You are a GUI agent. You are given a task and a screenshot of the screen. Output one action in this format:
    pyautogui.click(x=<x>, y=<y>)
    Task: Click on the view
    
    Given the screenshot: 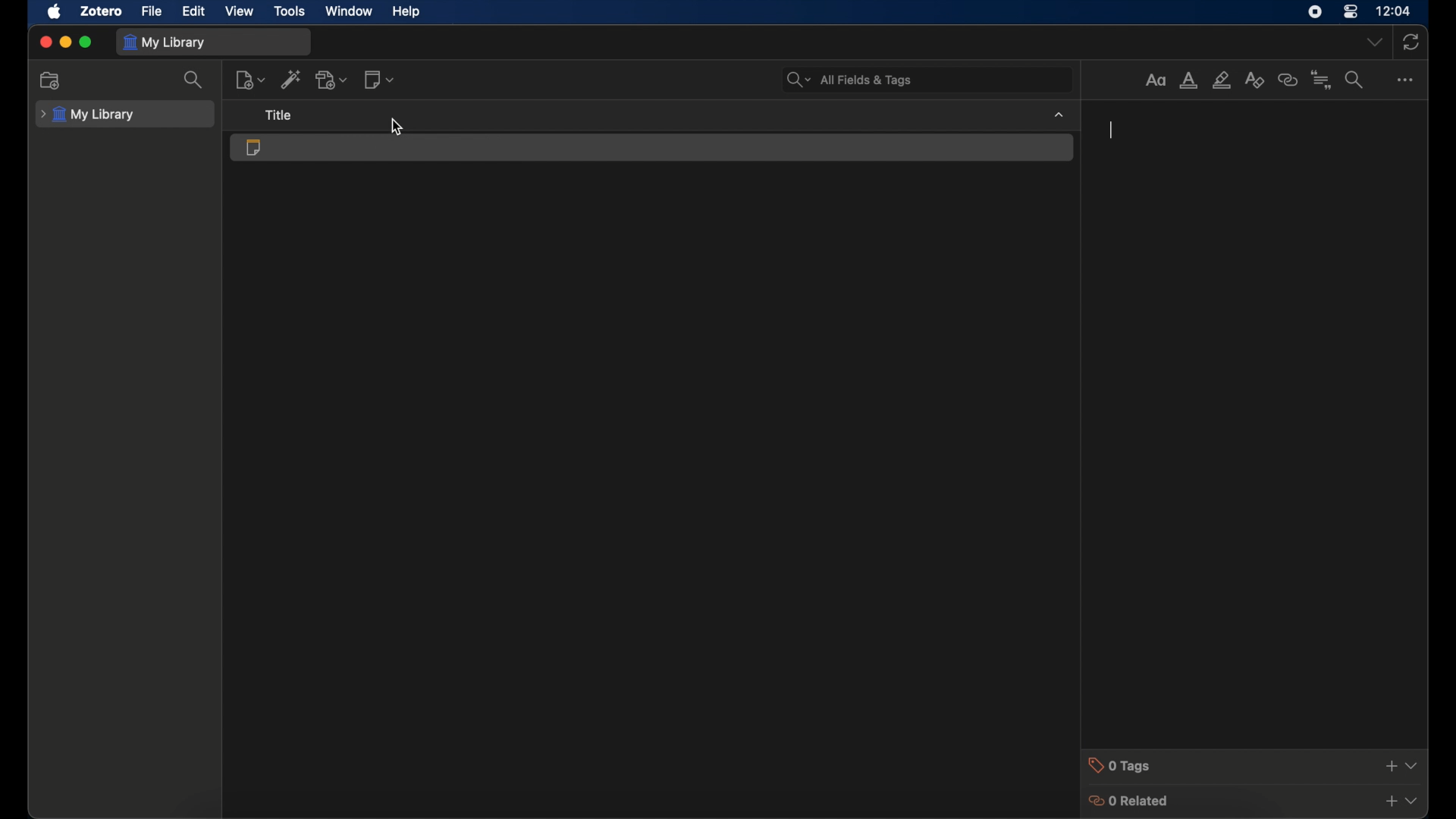 What is the action you would take?
    pyautogui.click(x=240, y=12)
    